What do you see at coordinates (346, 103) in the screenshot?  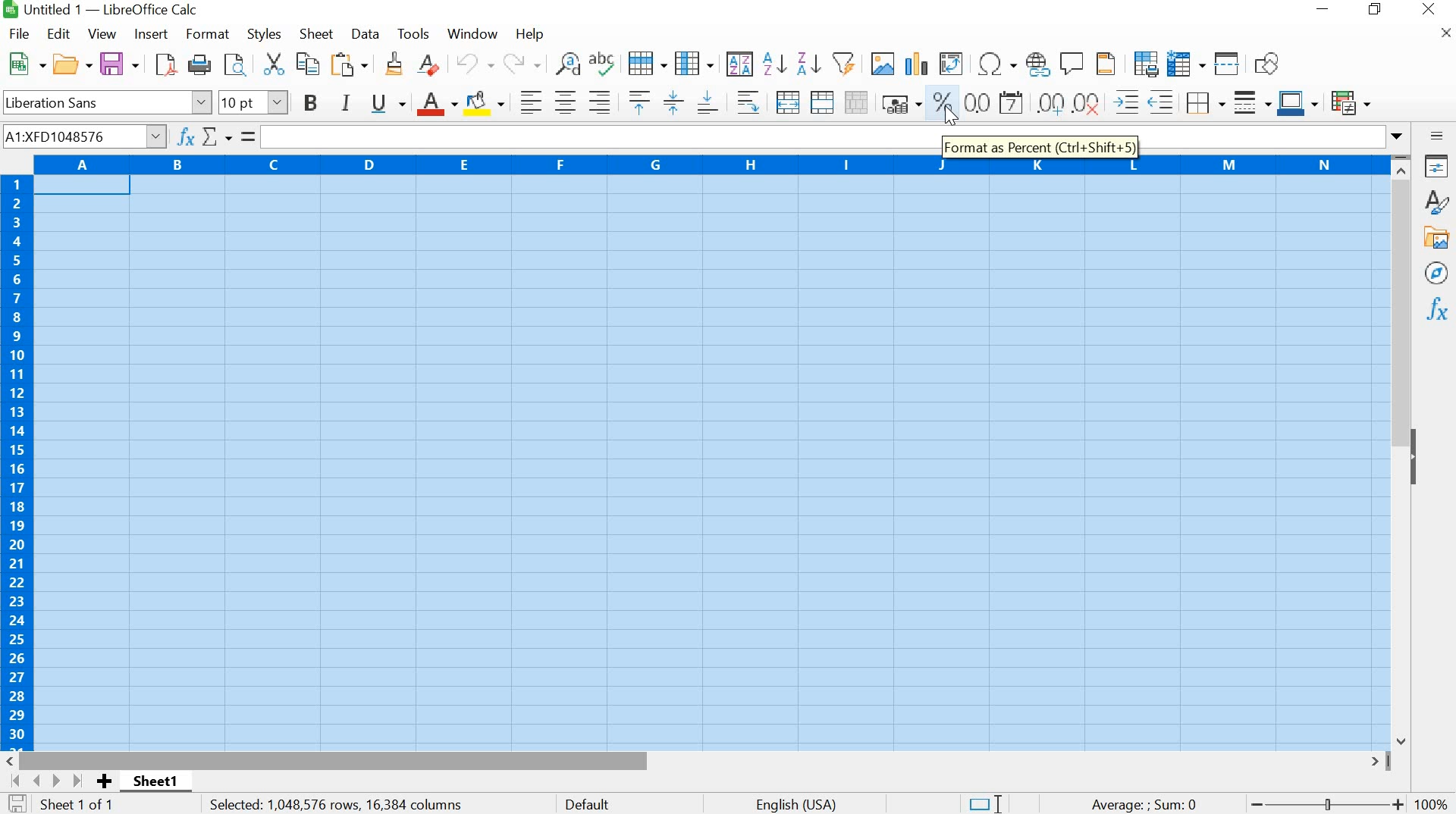 I see `ITALIC` at bounding box center [346, 103].